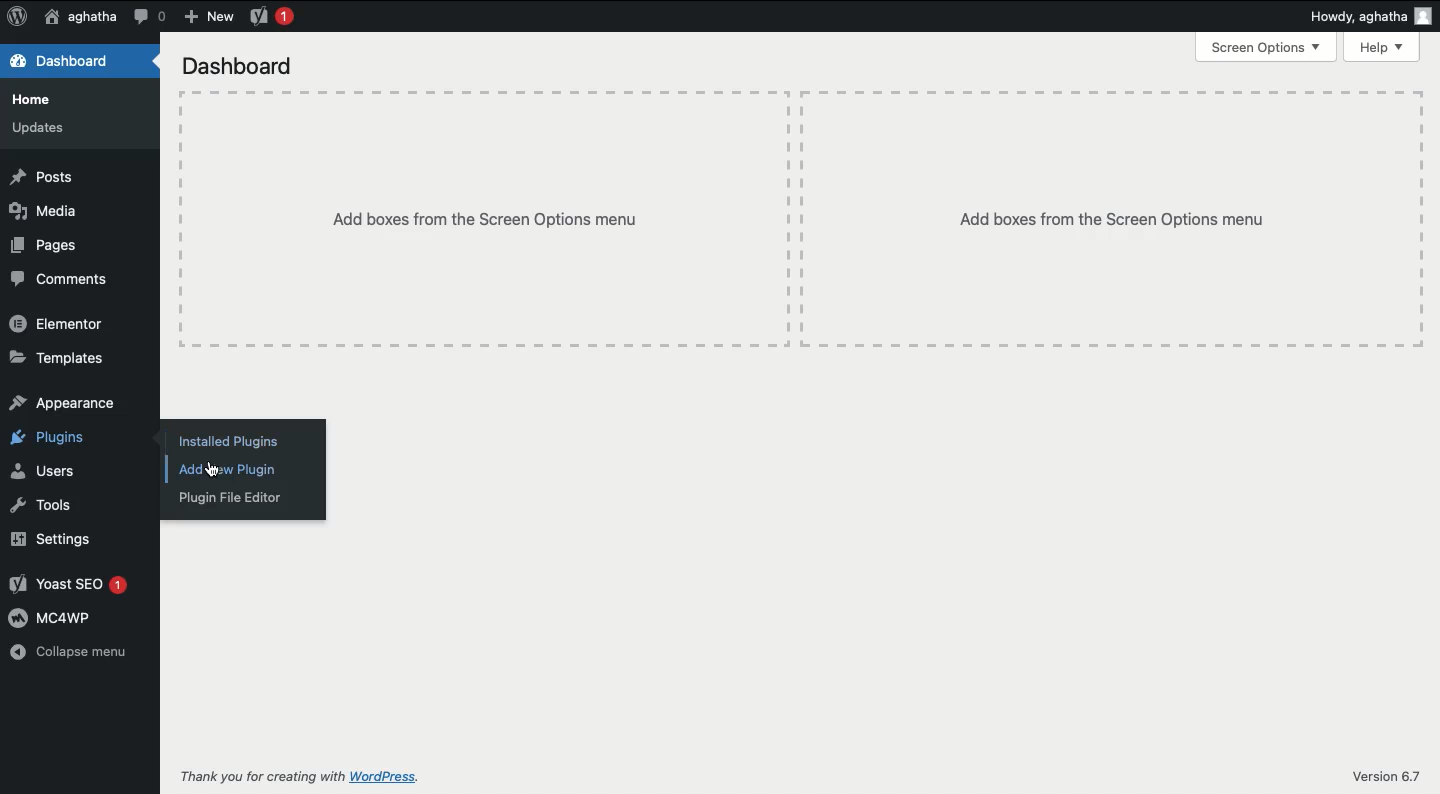  What do you see at coordinates (70, 584) in the screenshot?
I see `Yoast SEO` at bounding box center [70, 584].